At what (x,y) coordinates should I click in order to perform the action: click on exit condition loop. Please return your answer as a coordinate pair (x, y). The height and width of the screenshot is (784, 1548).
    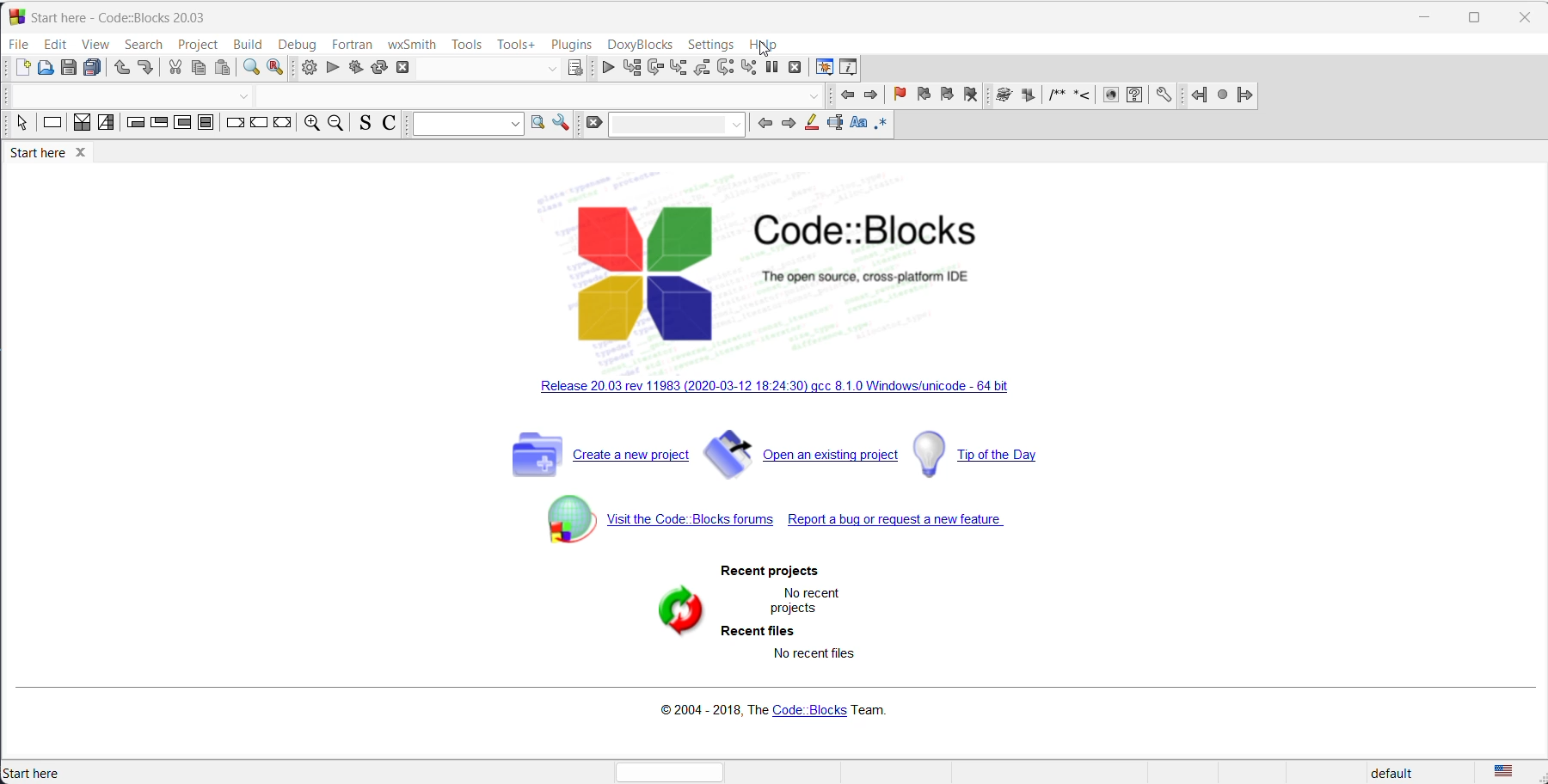
    Looking at the image, I should click on (157, 126).